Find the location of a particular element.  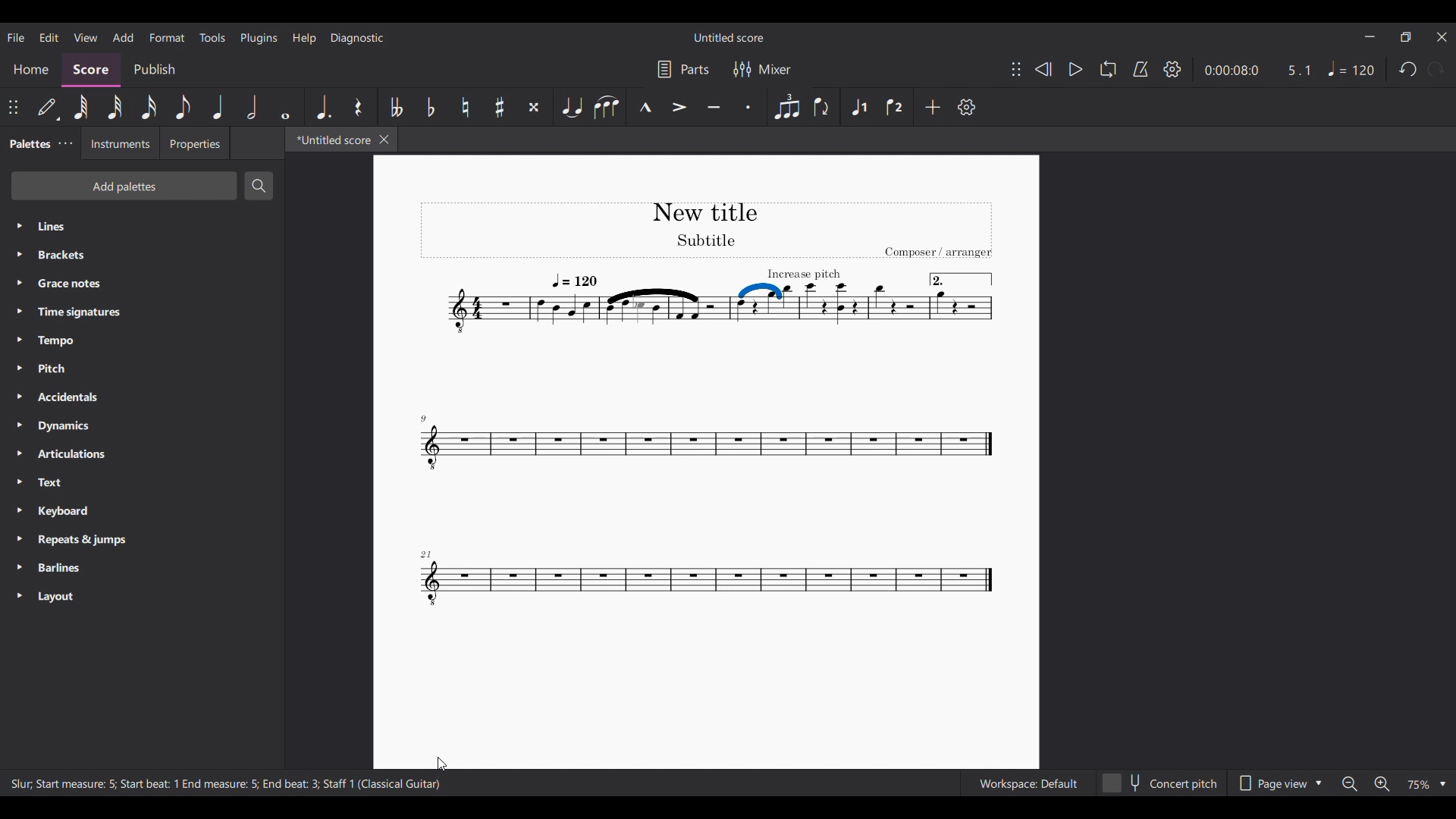

Current duration is located at coordinates (1229, 70).